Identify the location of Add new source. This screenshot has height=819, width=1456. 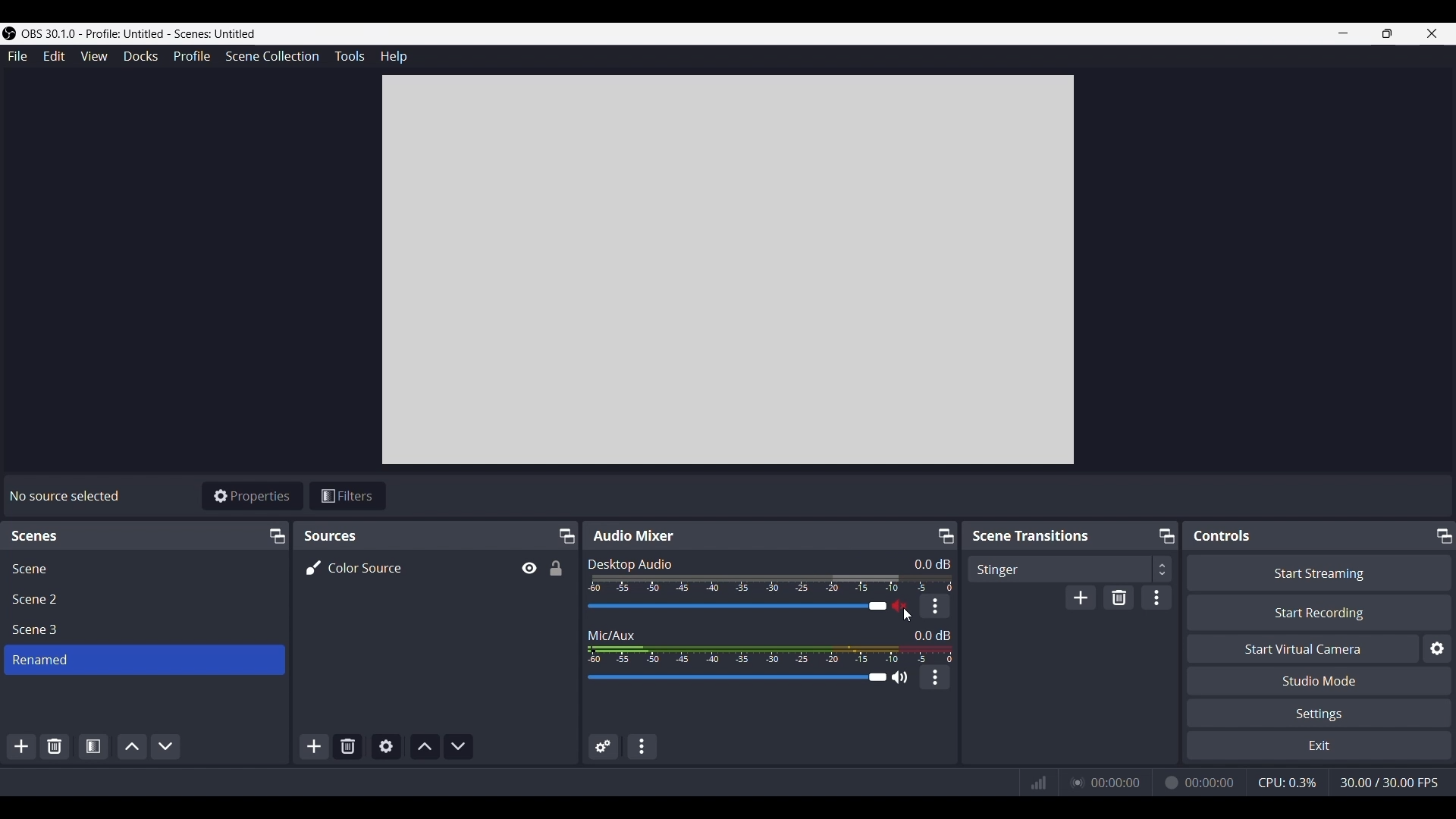
(315, 747).